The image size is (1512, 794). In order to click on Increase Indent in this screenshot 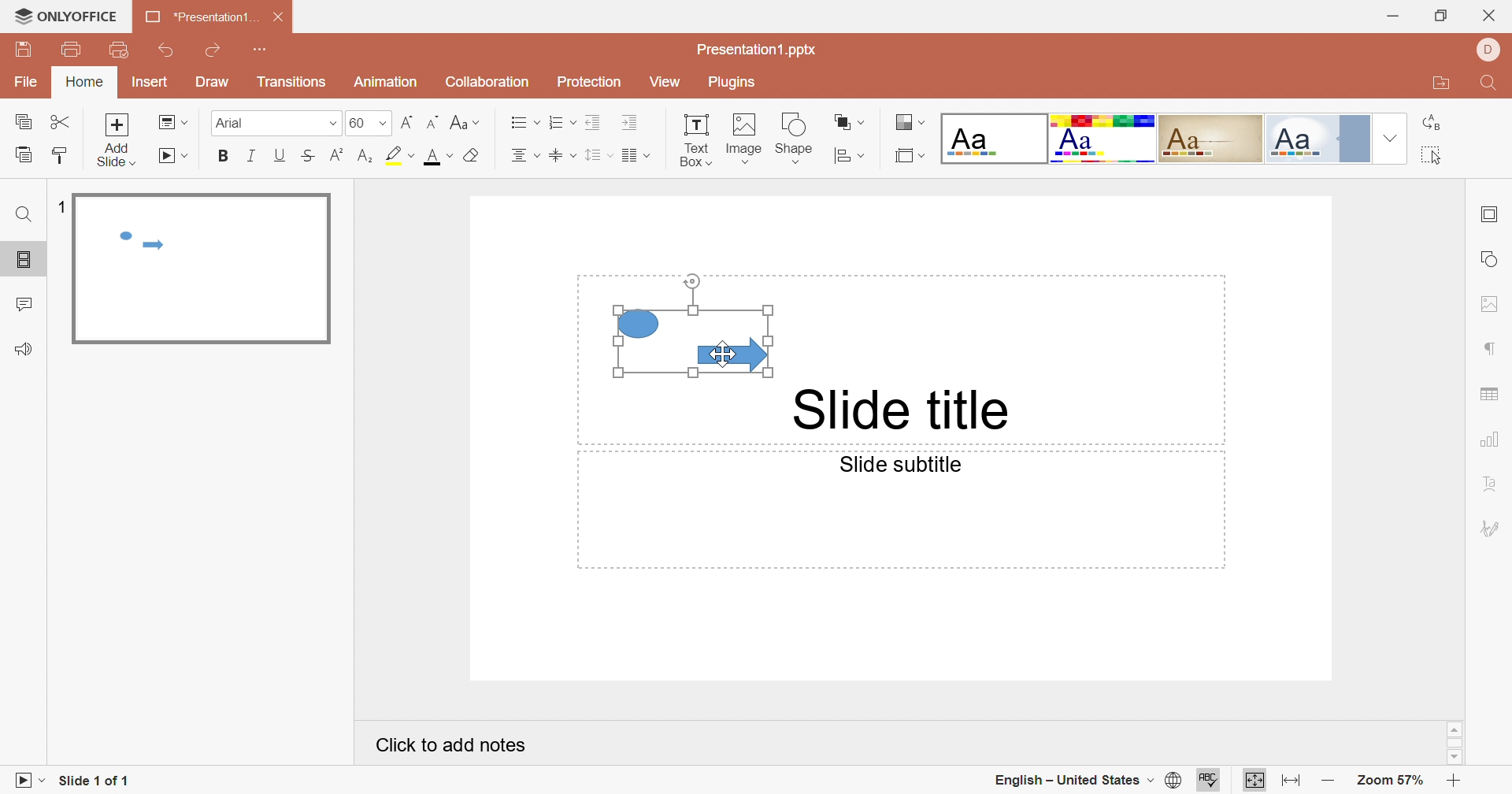, I will do `click(630, 121)`.